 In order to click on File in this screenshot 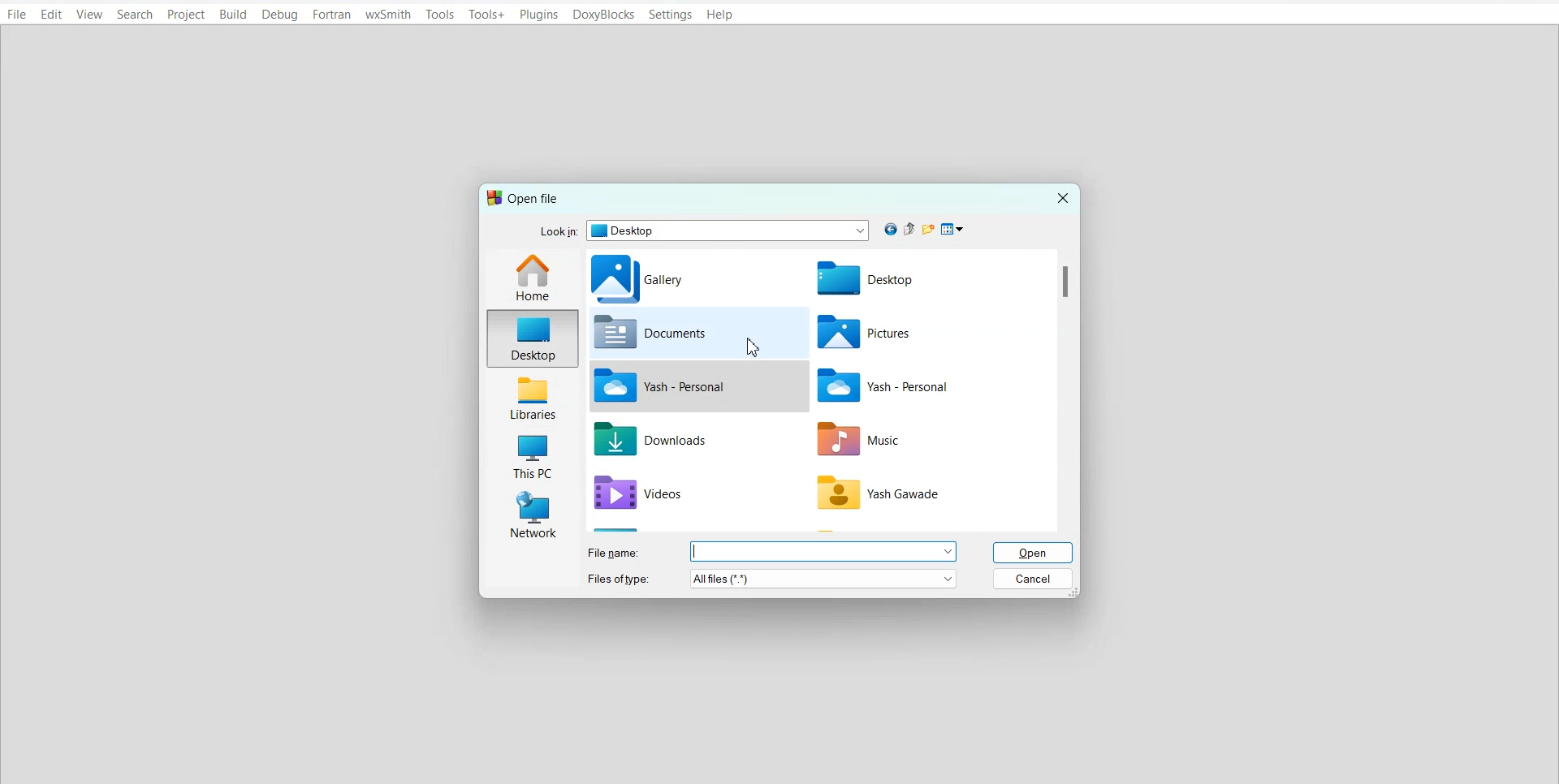, I will do `click(16, 14)`.